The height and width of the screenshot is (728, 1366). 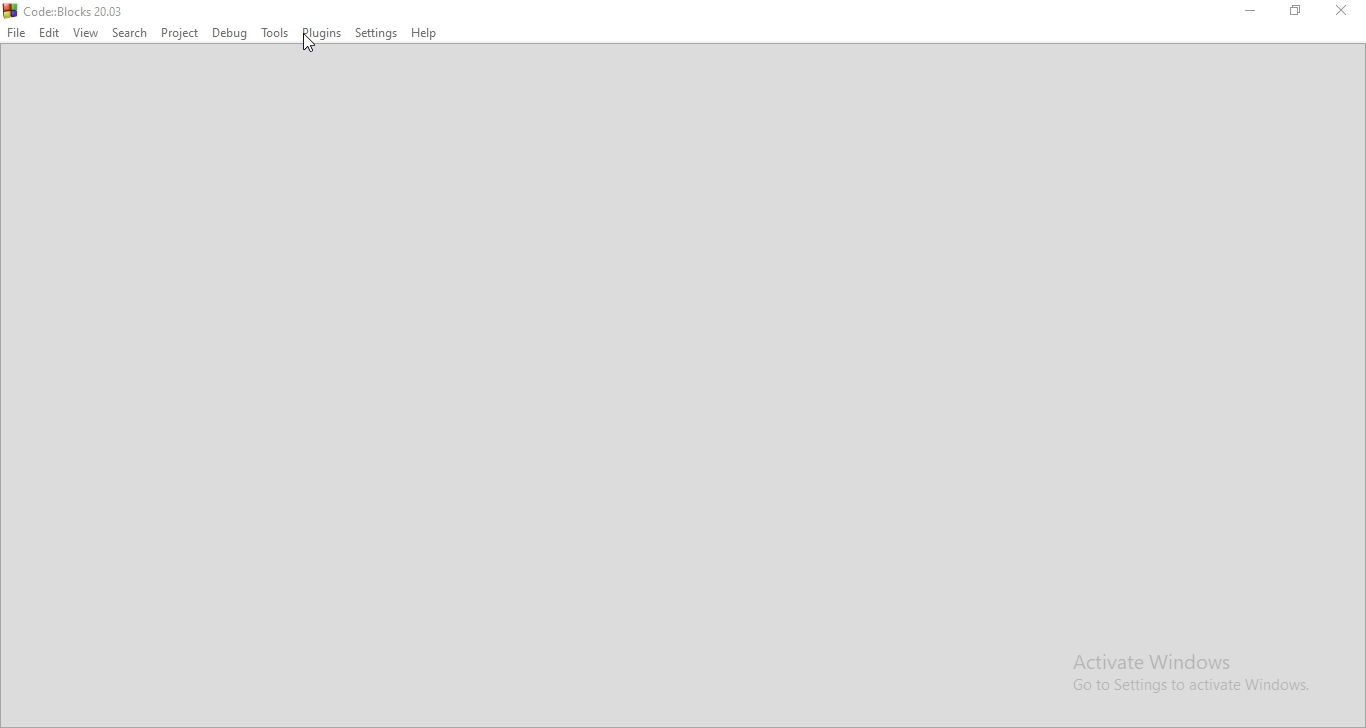 What do you see at coordinates (1251, 9) in the screenshot?
I see `minimize` at bounding box center [1251, 9].